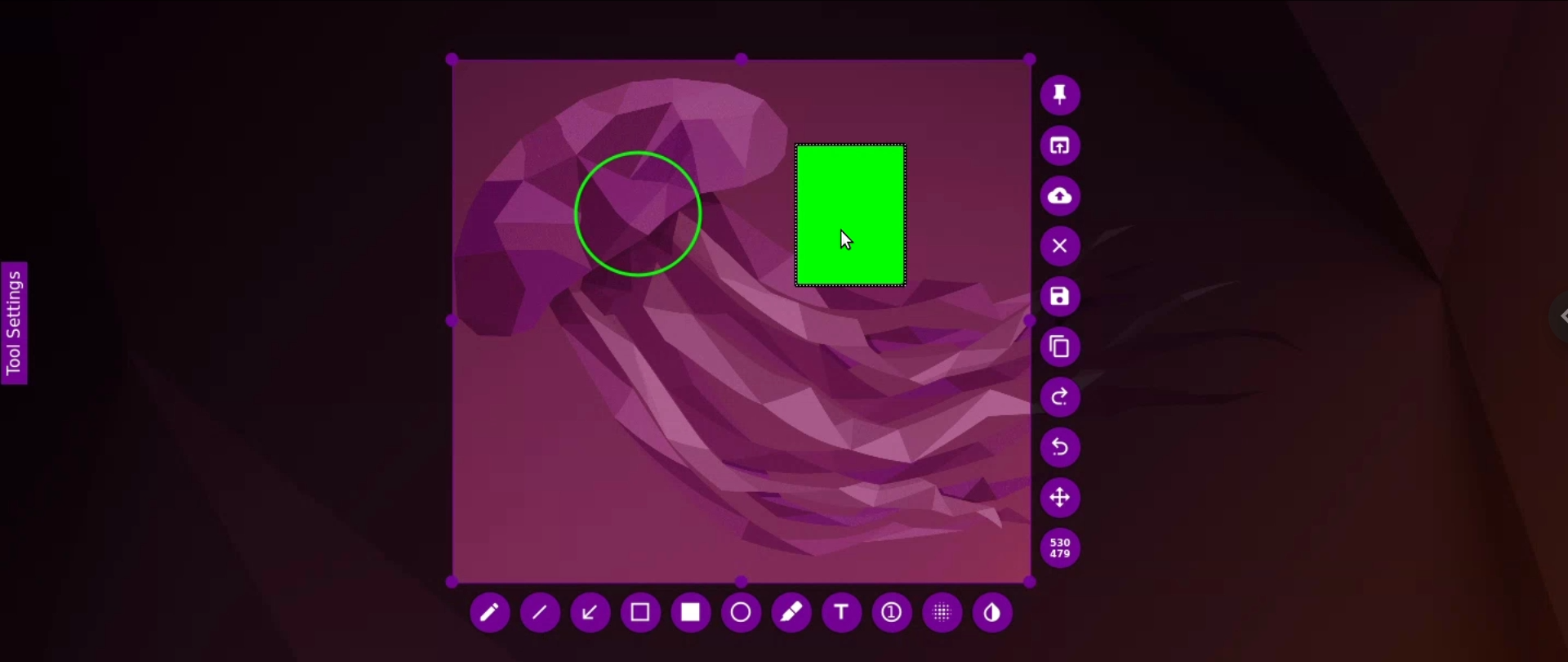 The height and width of the screenshot is (662, 1568). What do you see at coordinates (635, 217) in the screenshot?
I see `circle drawing` at bounding box center [635, 217].